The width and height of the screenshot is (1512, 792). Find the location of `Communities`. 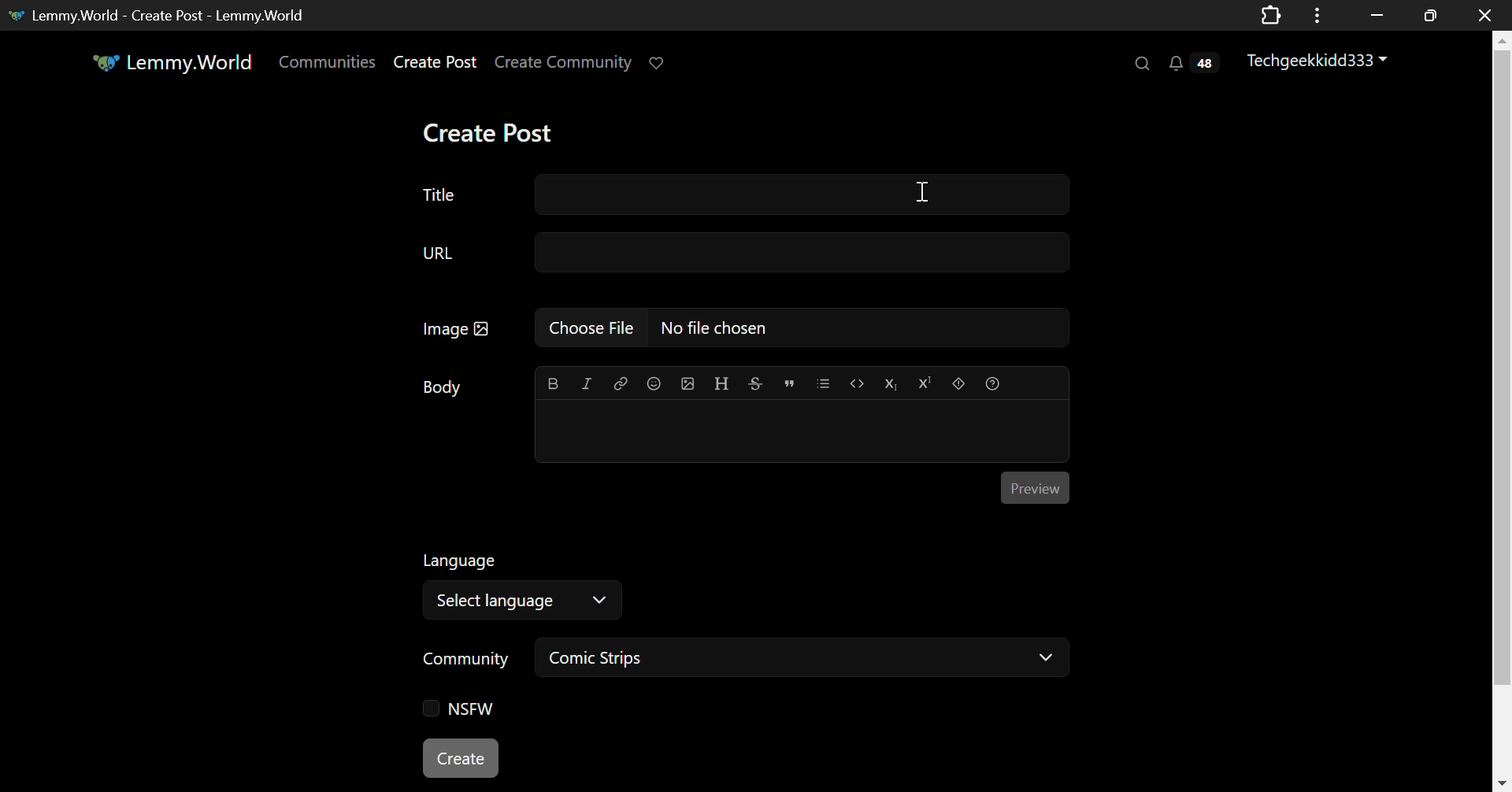

Communities is located at coordinates (326, 63).